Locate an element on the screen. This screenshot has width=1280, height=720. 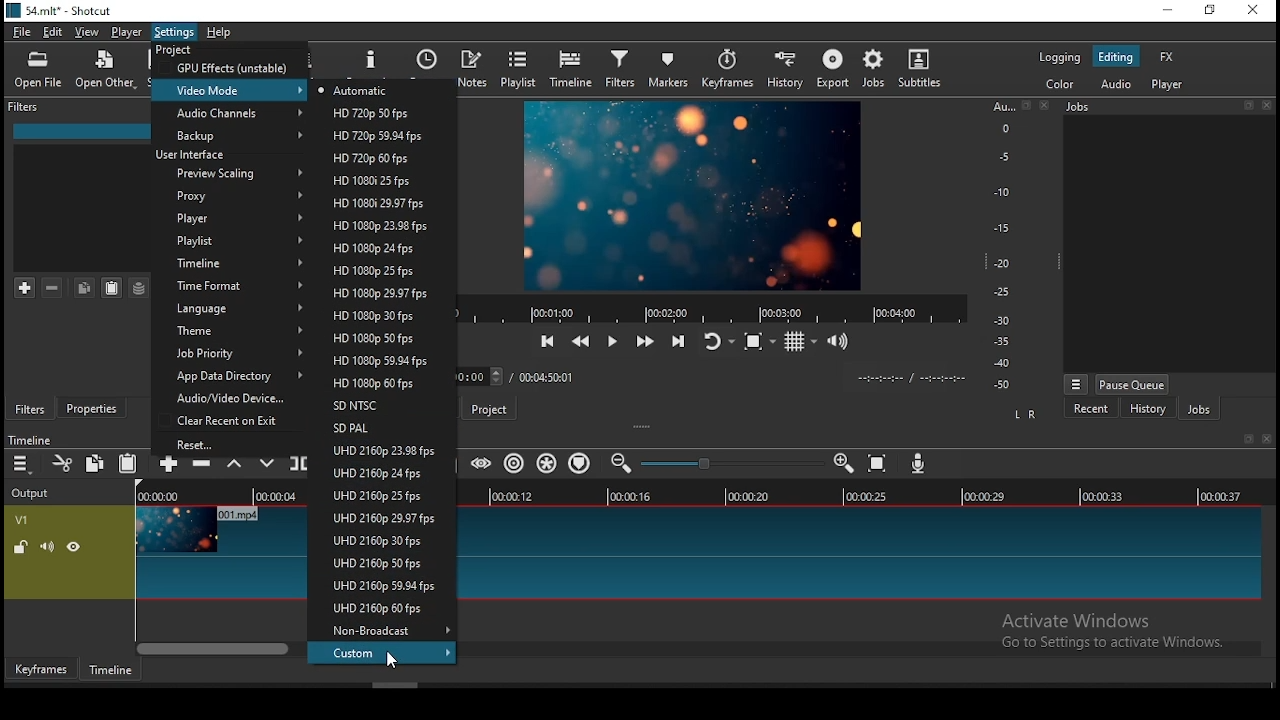
-10 is located at coordinates (1000, 192).